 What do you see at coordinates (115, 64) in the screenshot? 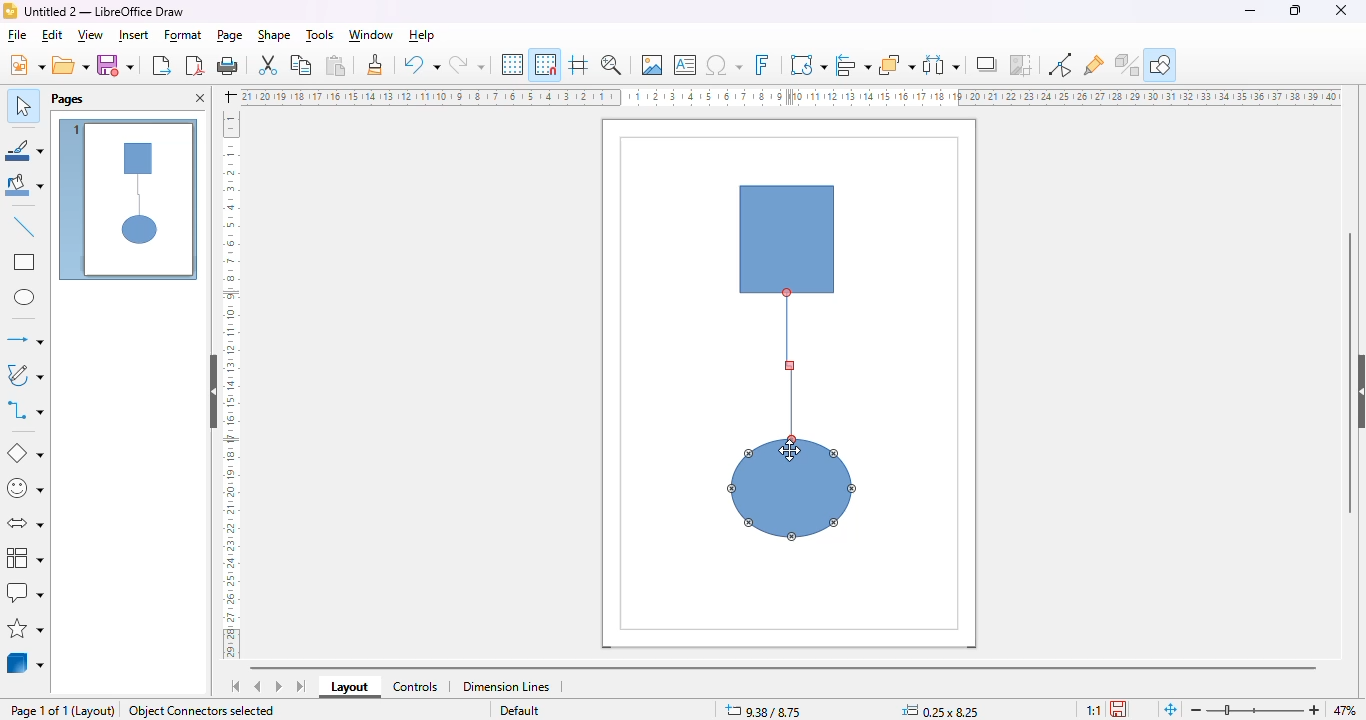
I see `save` at bounding box center [115, 64].